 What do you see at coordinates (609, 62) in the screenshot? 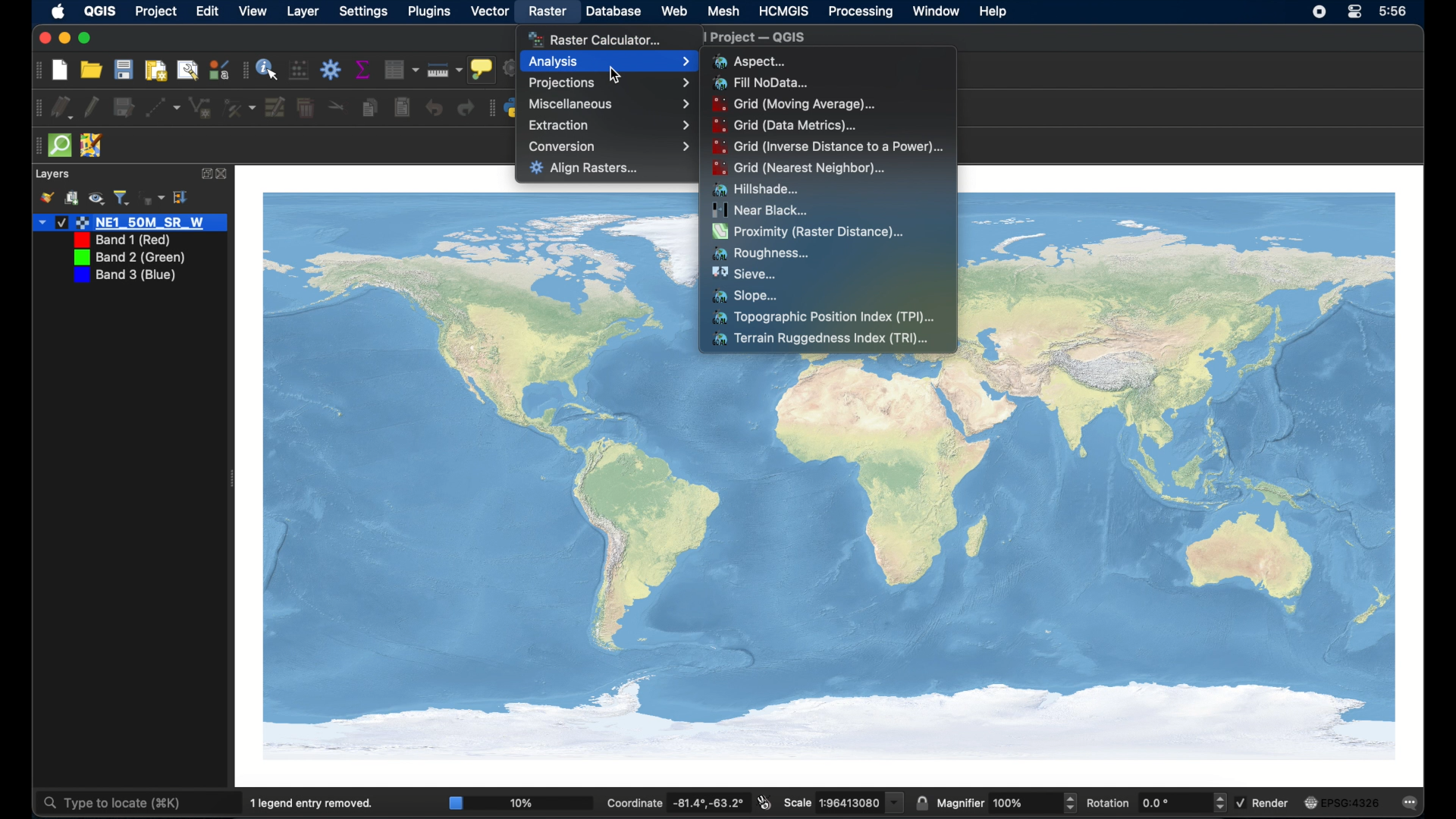
I see `analysis highlighted` at bounding box center [609, 62].